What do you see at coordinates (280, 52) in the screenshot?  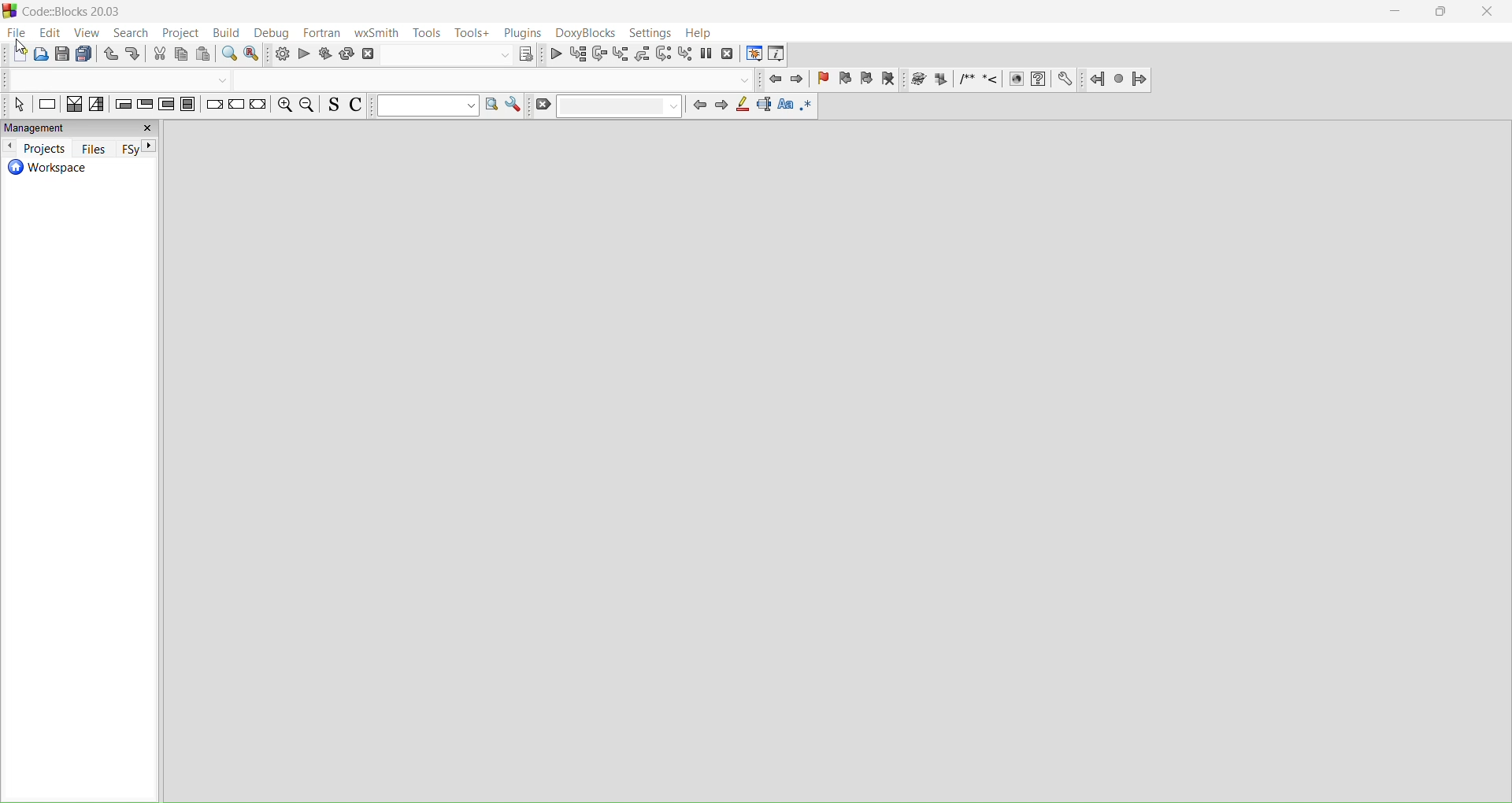 I see `build` at bounding box center [280, 52].